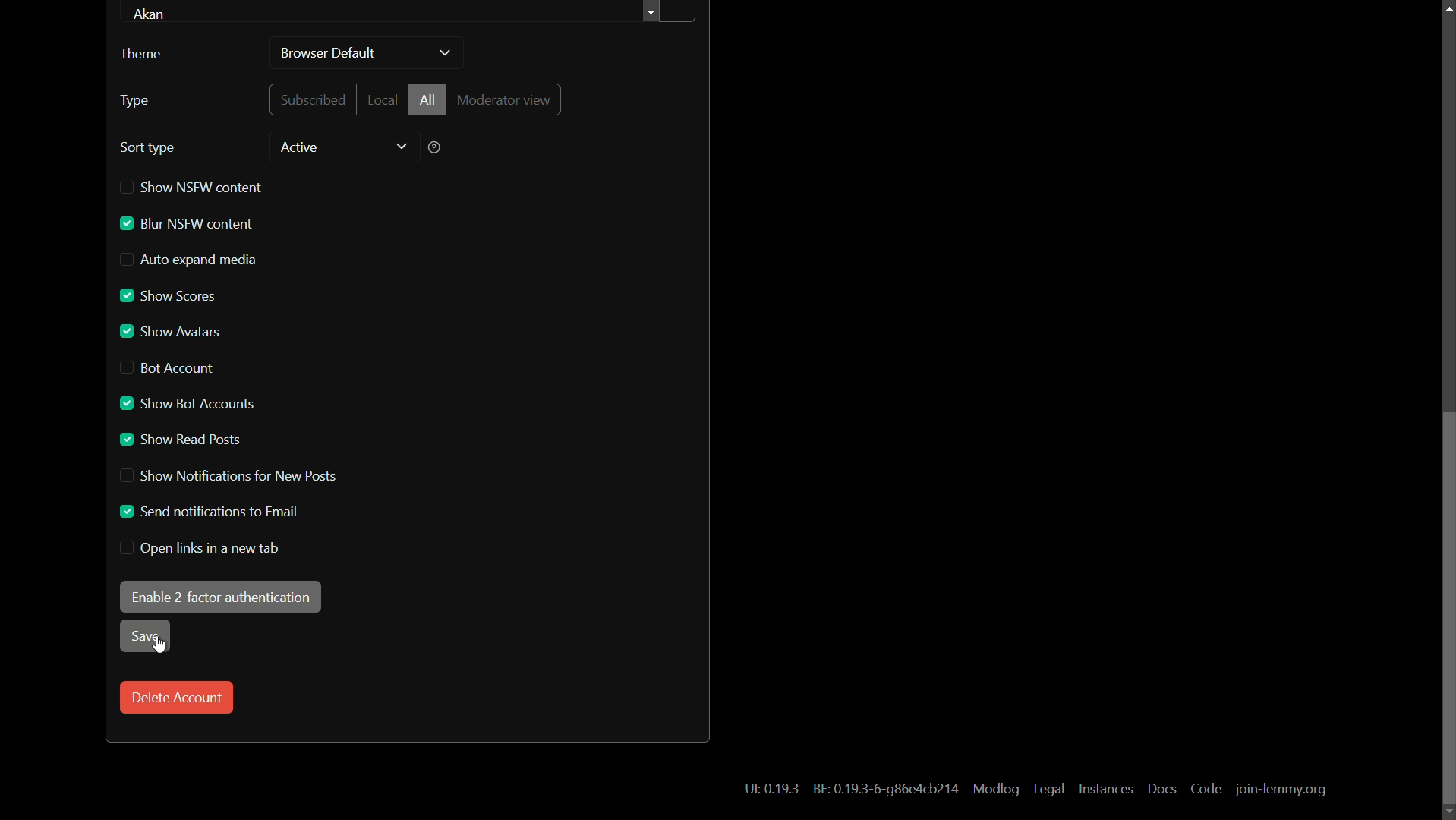  I want to click on dropdown, so click(446, 54).